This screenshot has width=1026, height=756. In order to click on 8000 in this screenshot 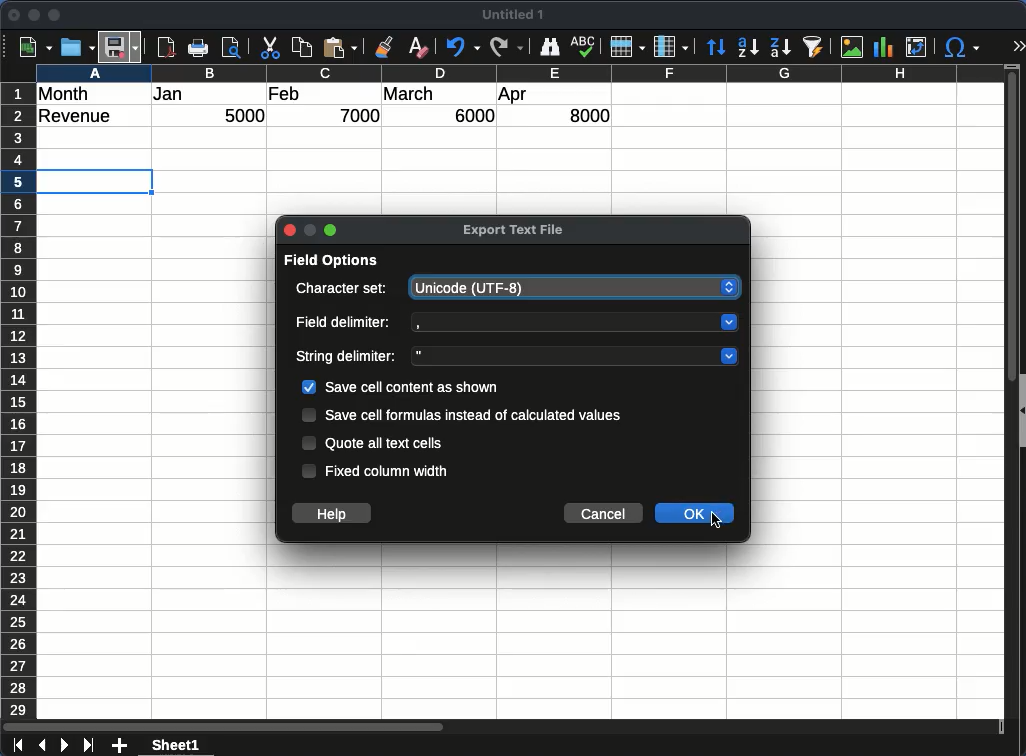, I will do `click(584, 115)`.